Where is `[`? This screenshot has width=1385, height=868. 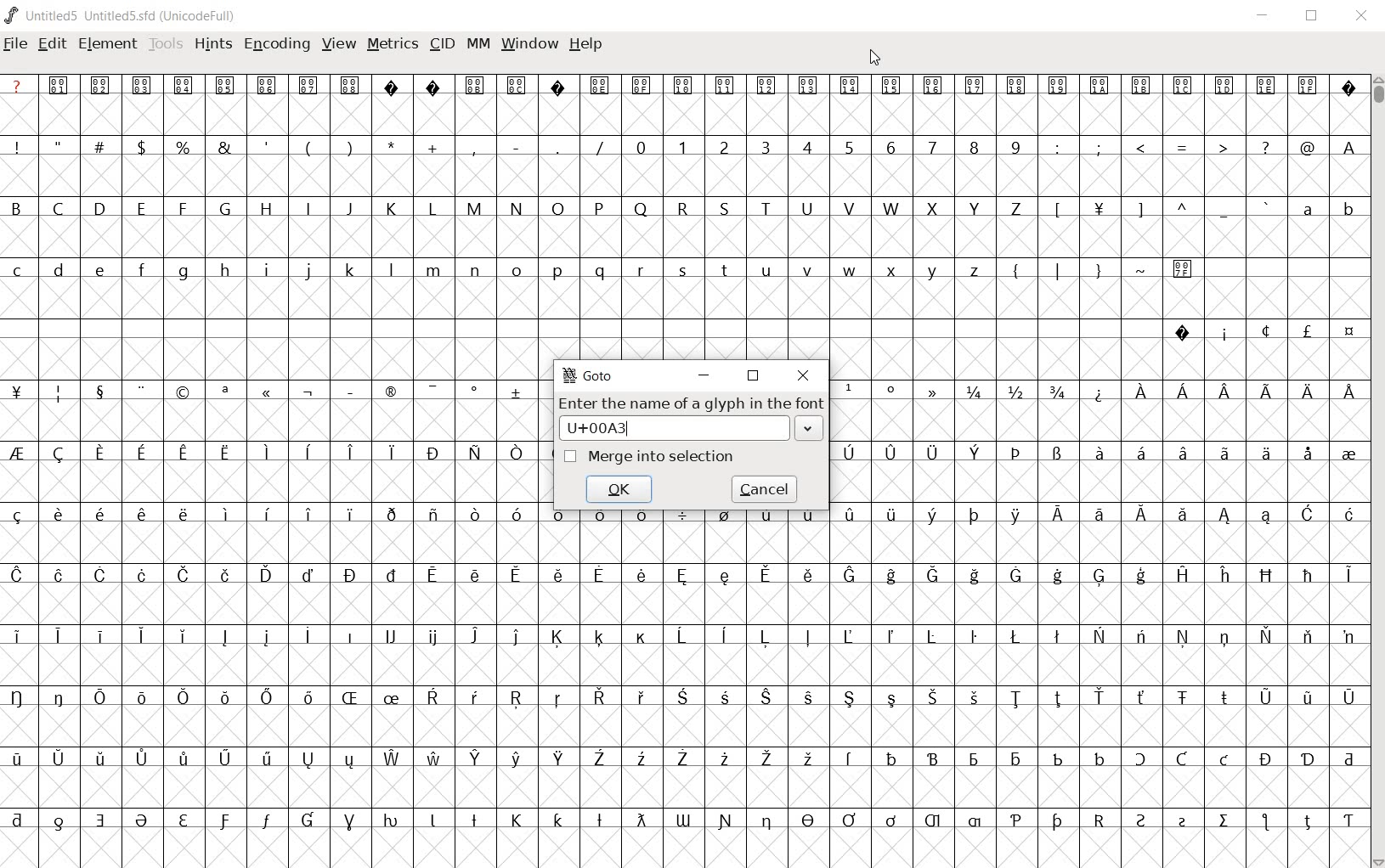
[ is located at coordinates (1055, 211).